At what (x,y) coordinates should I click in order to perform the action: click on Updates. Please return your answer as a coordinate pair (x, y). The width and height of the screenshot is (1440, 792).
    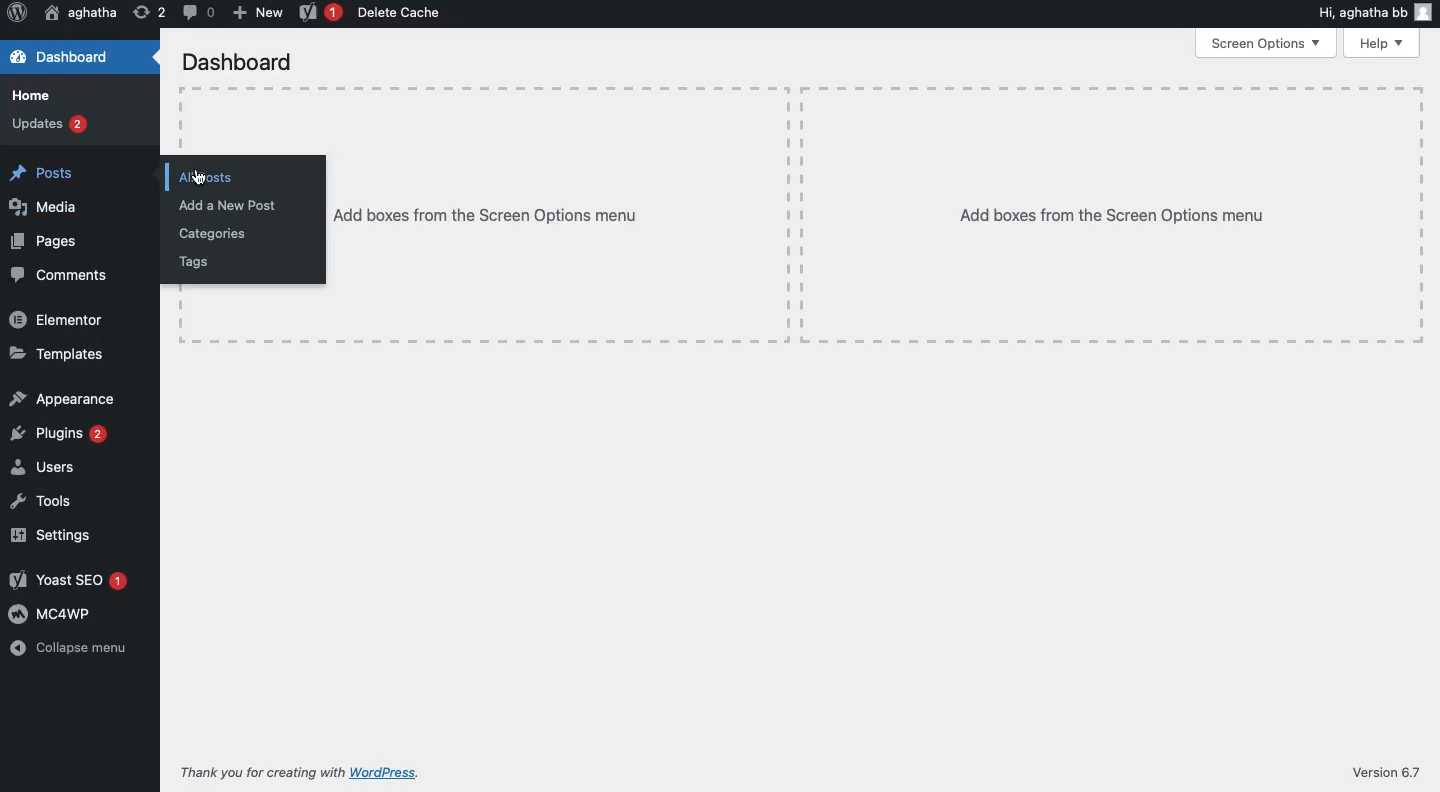
    Looking at the image, I should click on (50, 125).